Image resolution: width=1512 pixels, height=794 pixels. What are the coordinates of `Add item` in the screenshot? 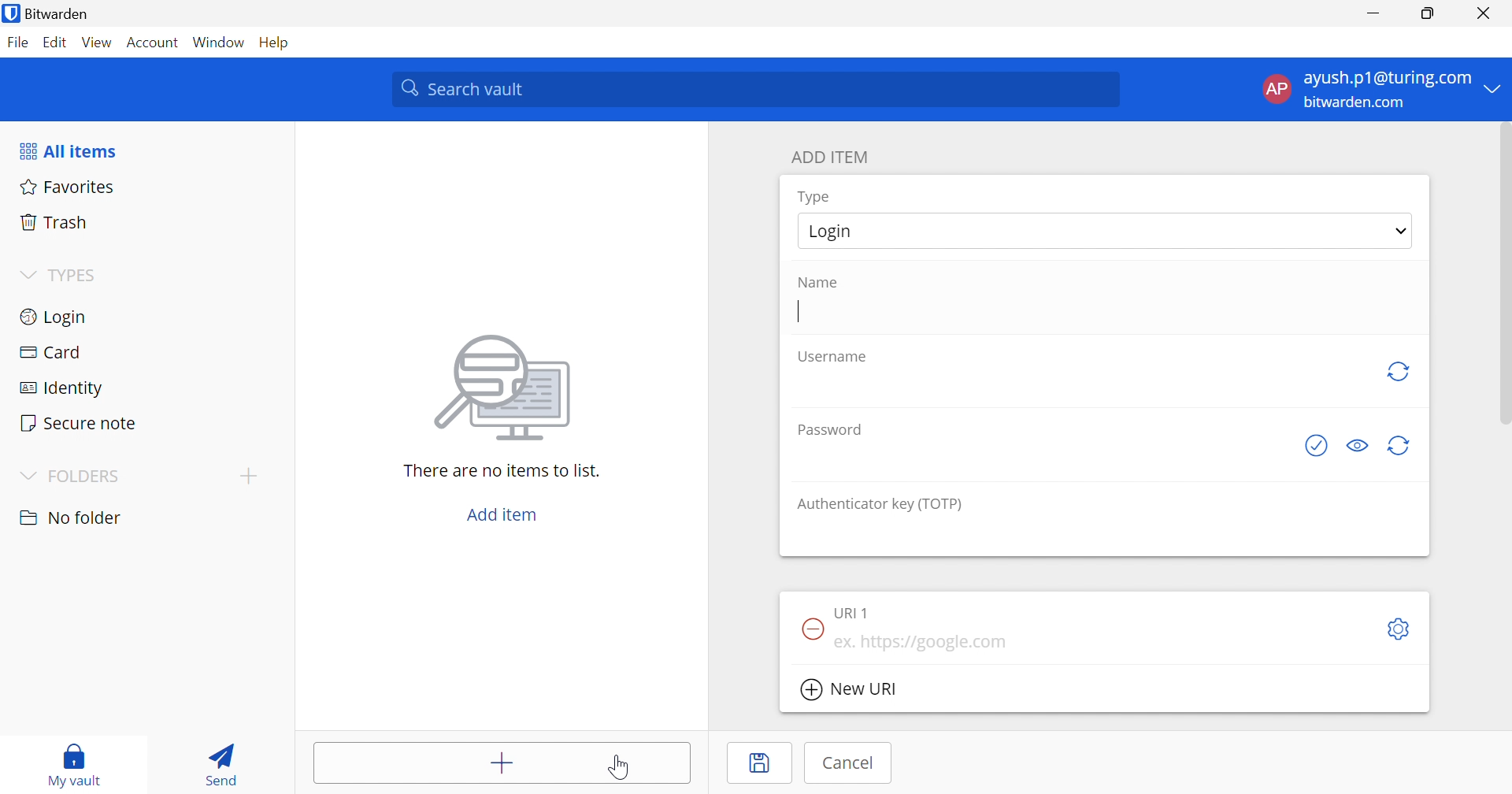 It's located at (503, 765).